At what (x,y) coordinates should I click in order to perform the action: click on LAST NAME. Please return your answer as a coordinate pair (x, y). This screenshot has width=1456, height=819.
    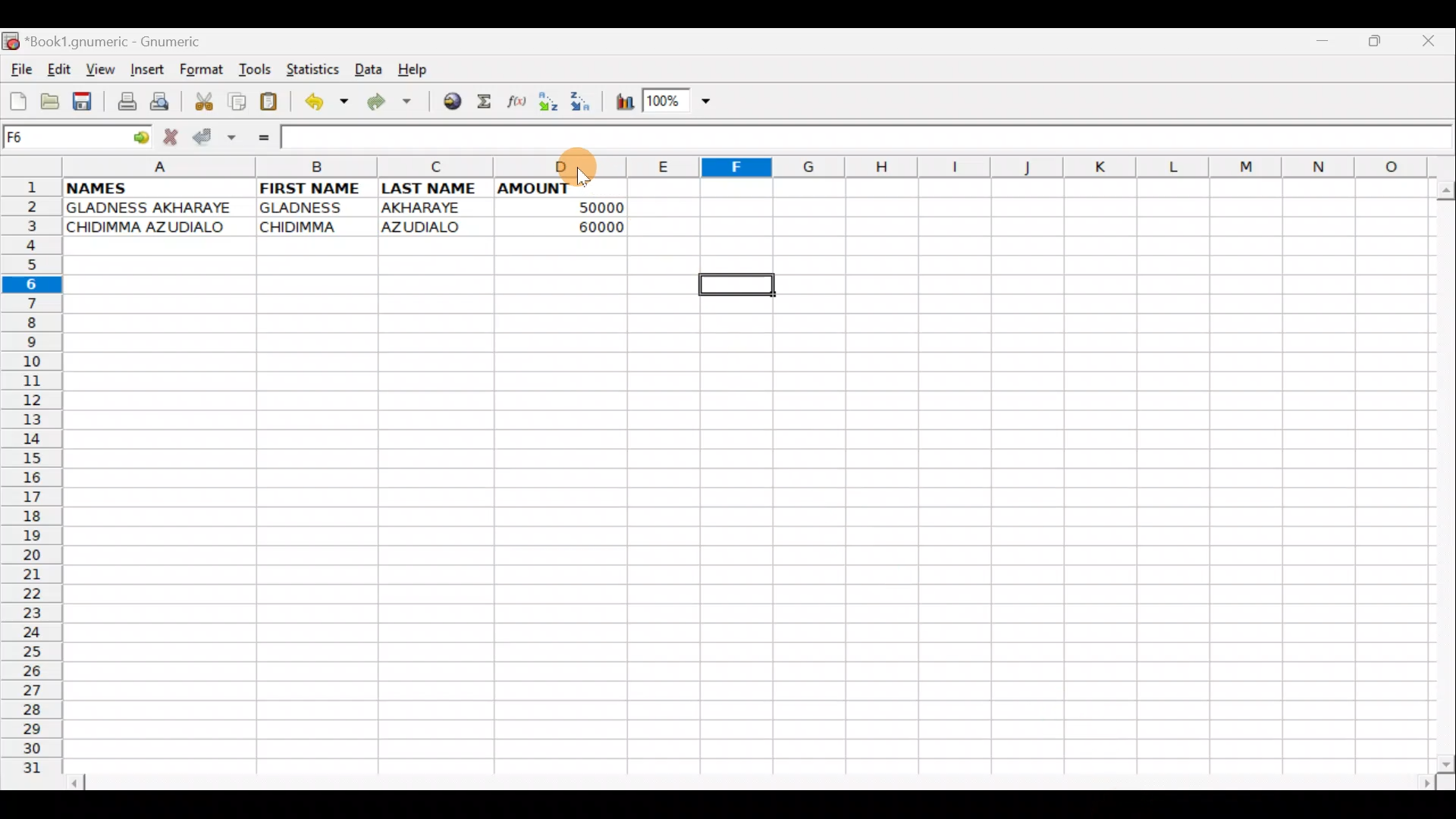
    Looking at the image, I should click on (436, 190).